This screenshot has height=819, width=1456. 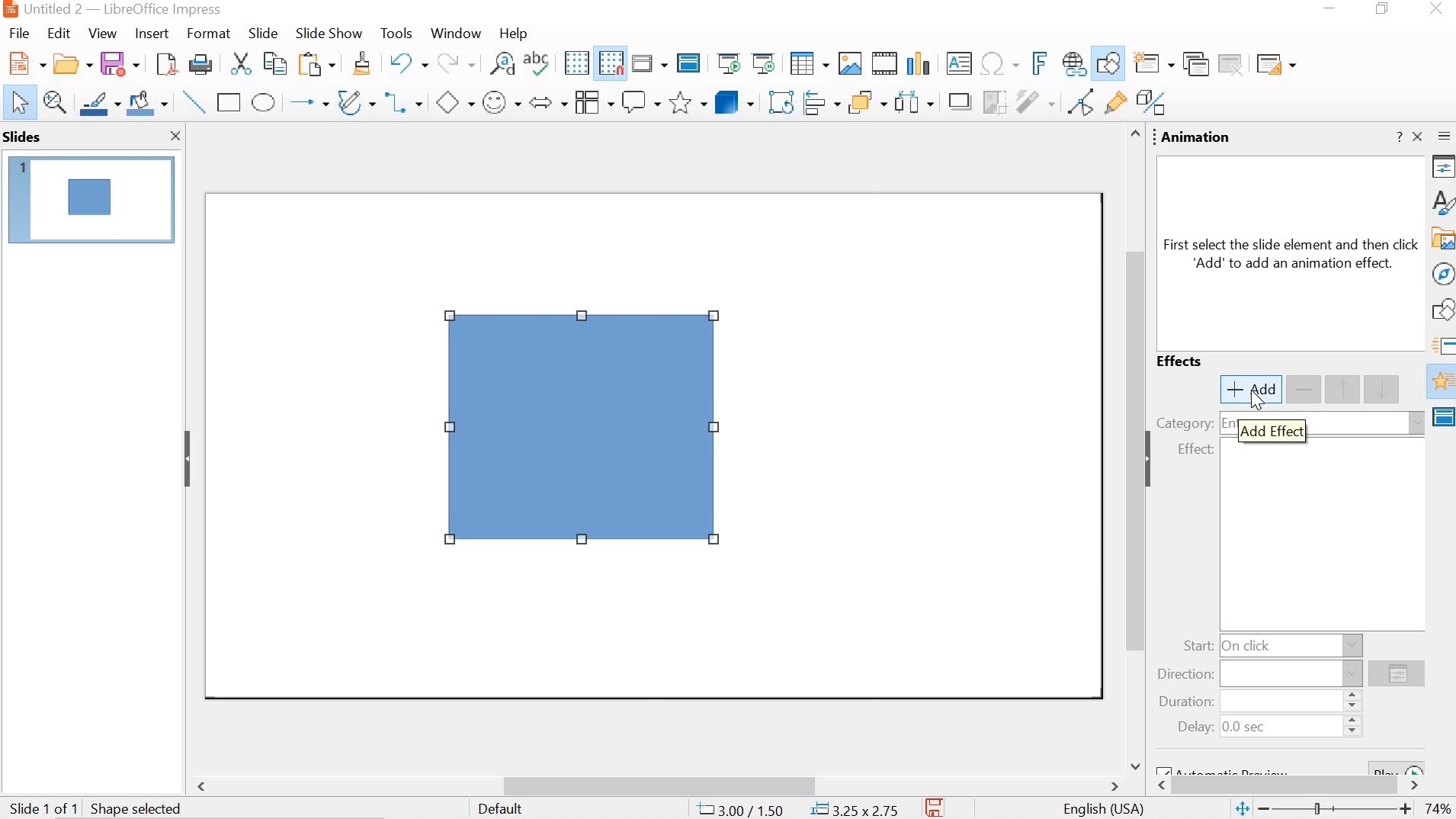 I want to click on navigator, so click(x=1443, y=271).